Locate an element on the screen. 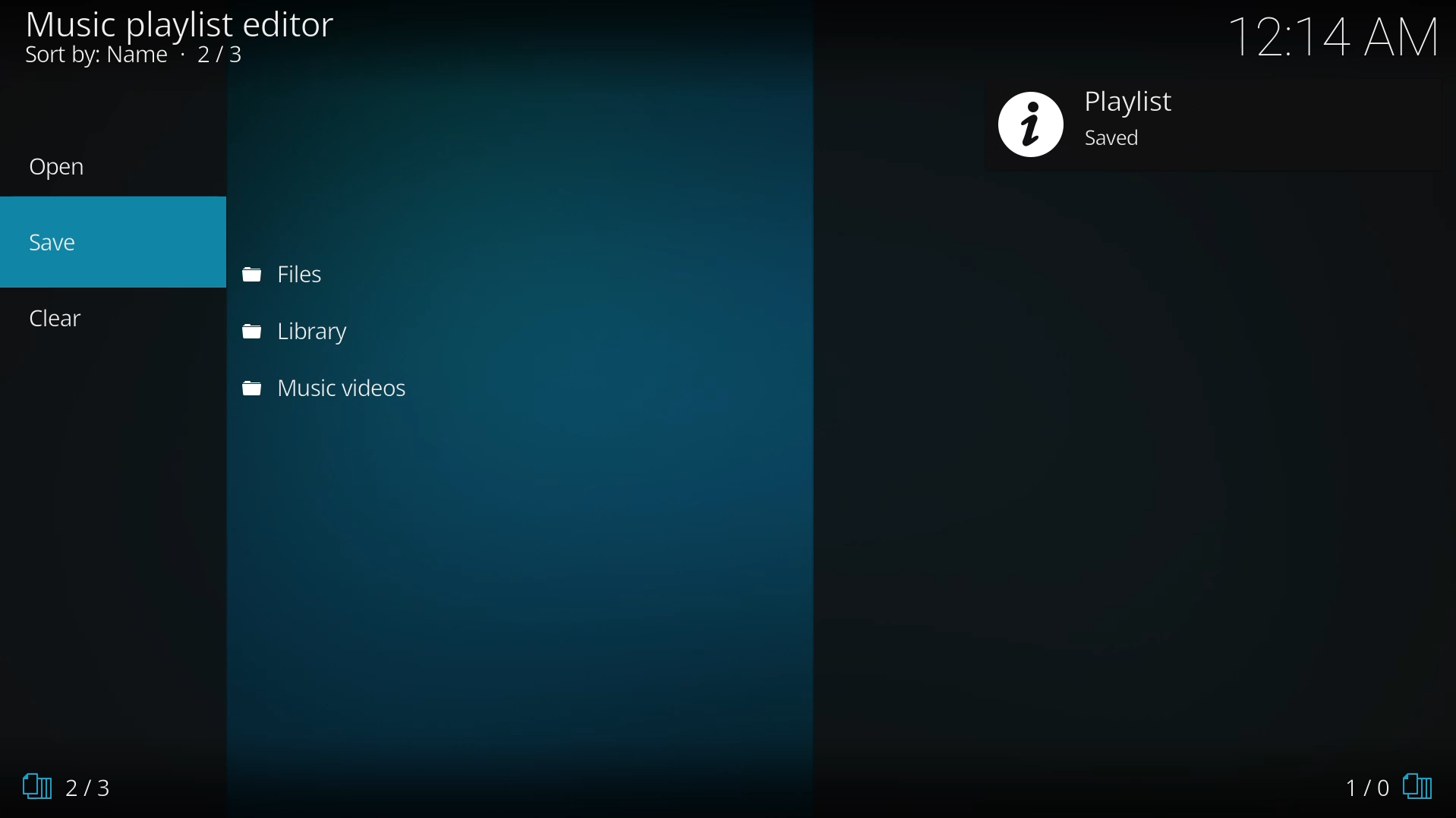 Image resolution: width=1456 pixels, height=818 pixels. library is located at coordinates (304, 331).